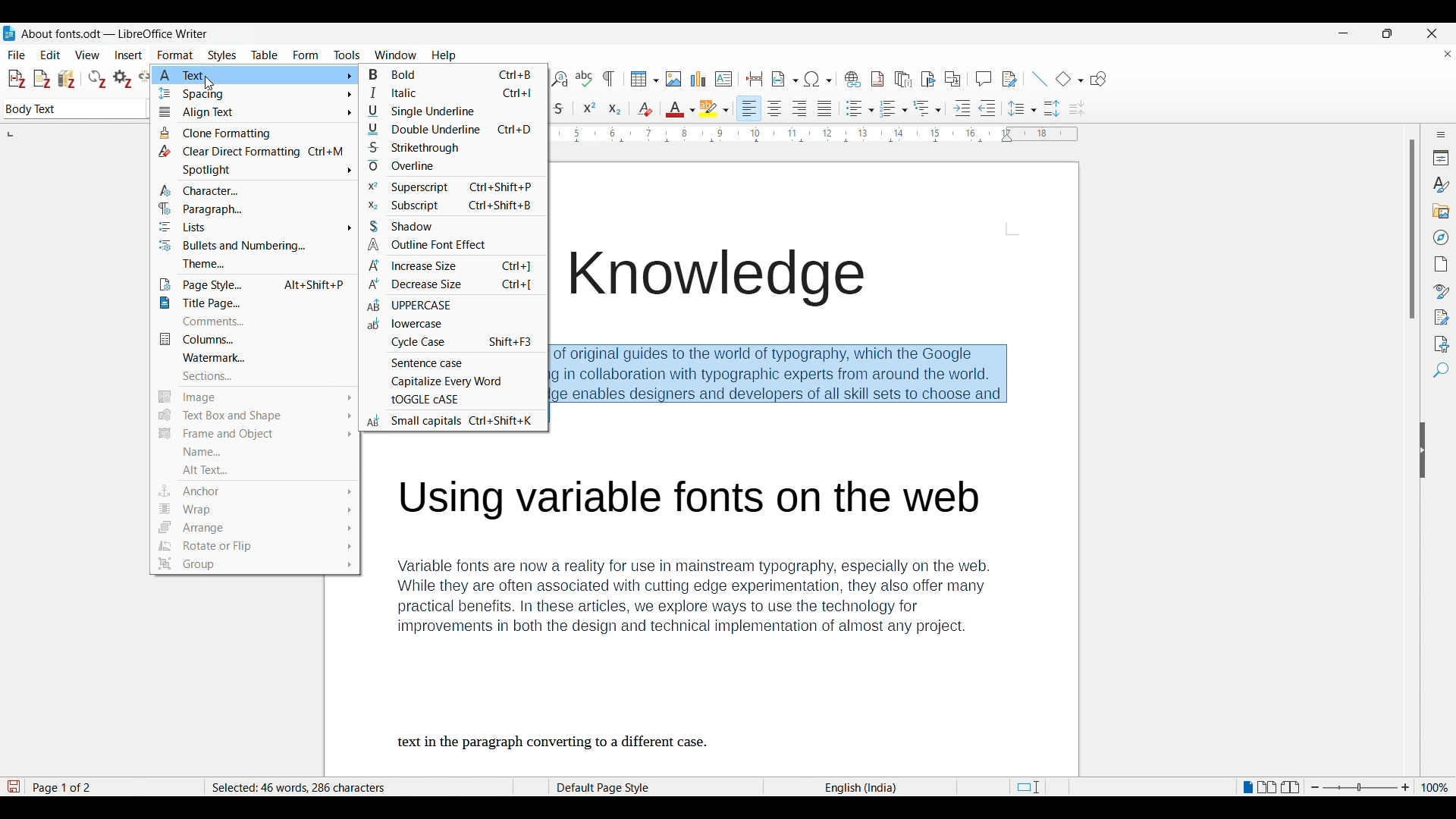  I want to click on text box and shape, so click(254, 416).